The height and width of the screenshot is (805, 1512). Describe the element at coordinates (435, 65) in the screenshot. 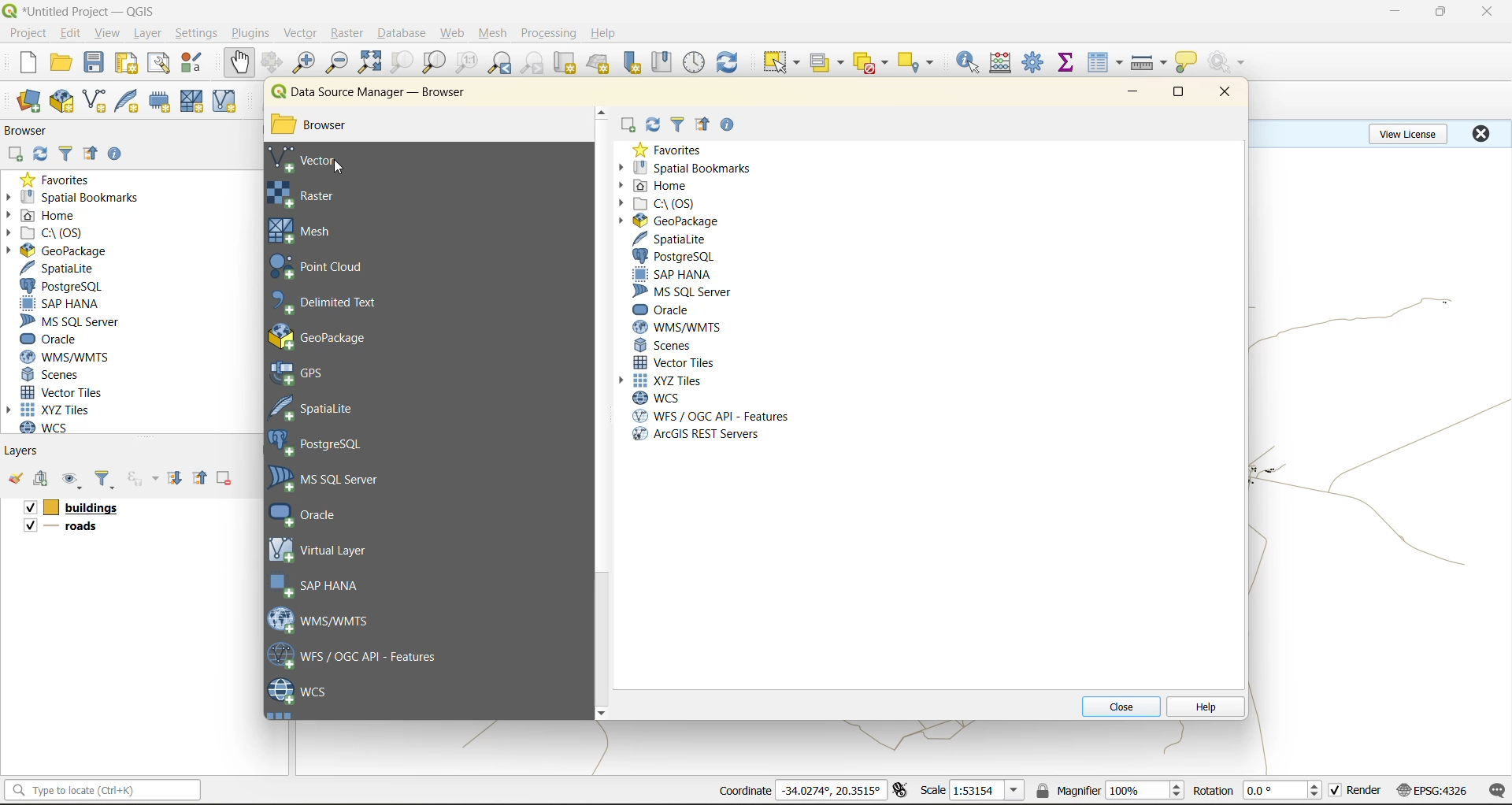

I see `zoom layer` at that location.